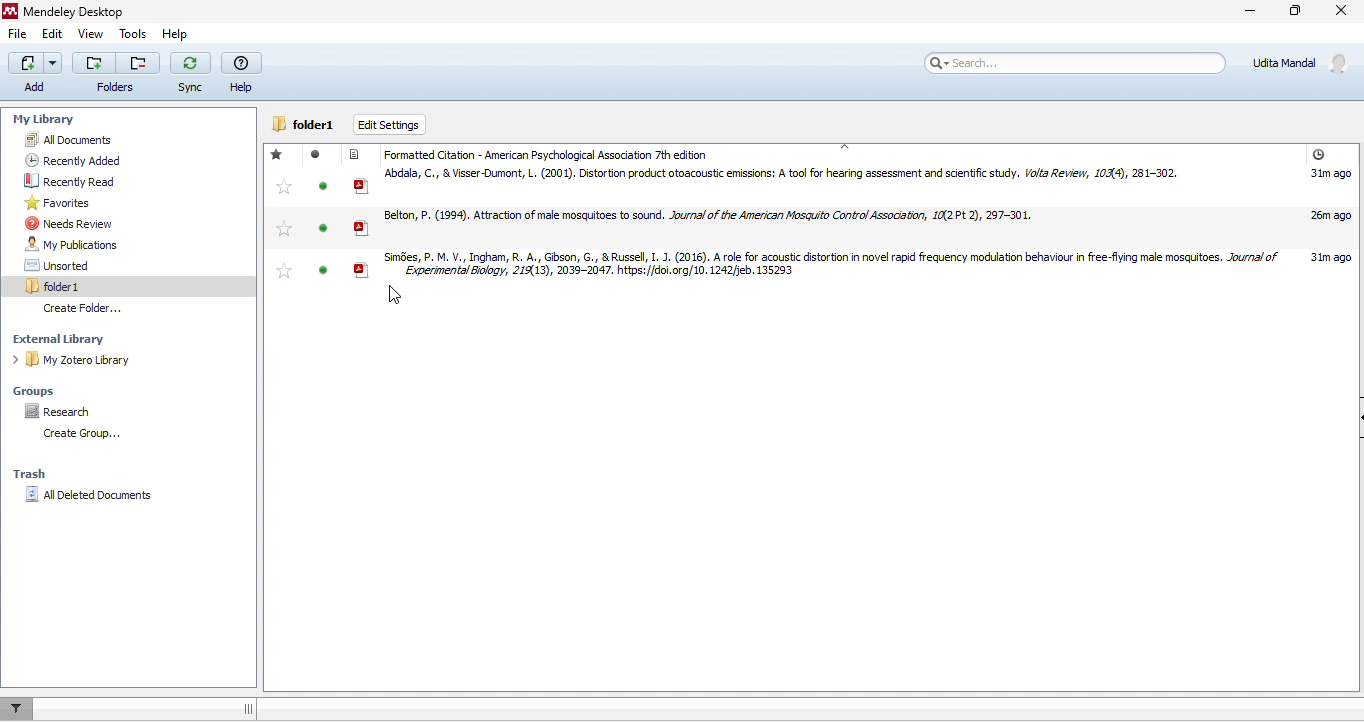 Image resolution: width=1364 pixels, height=722 pixels. Describe the element at coordinates (82, 140) in the screenshot. I see `all documents` at that location.